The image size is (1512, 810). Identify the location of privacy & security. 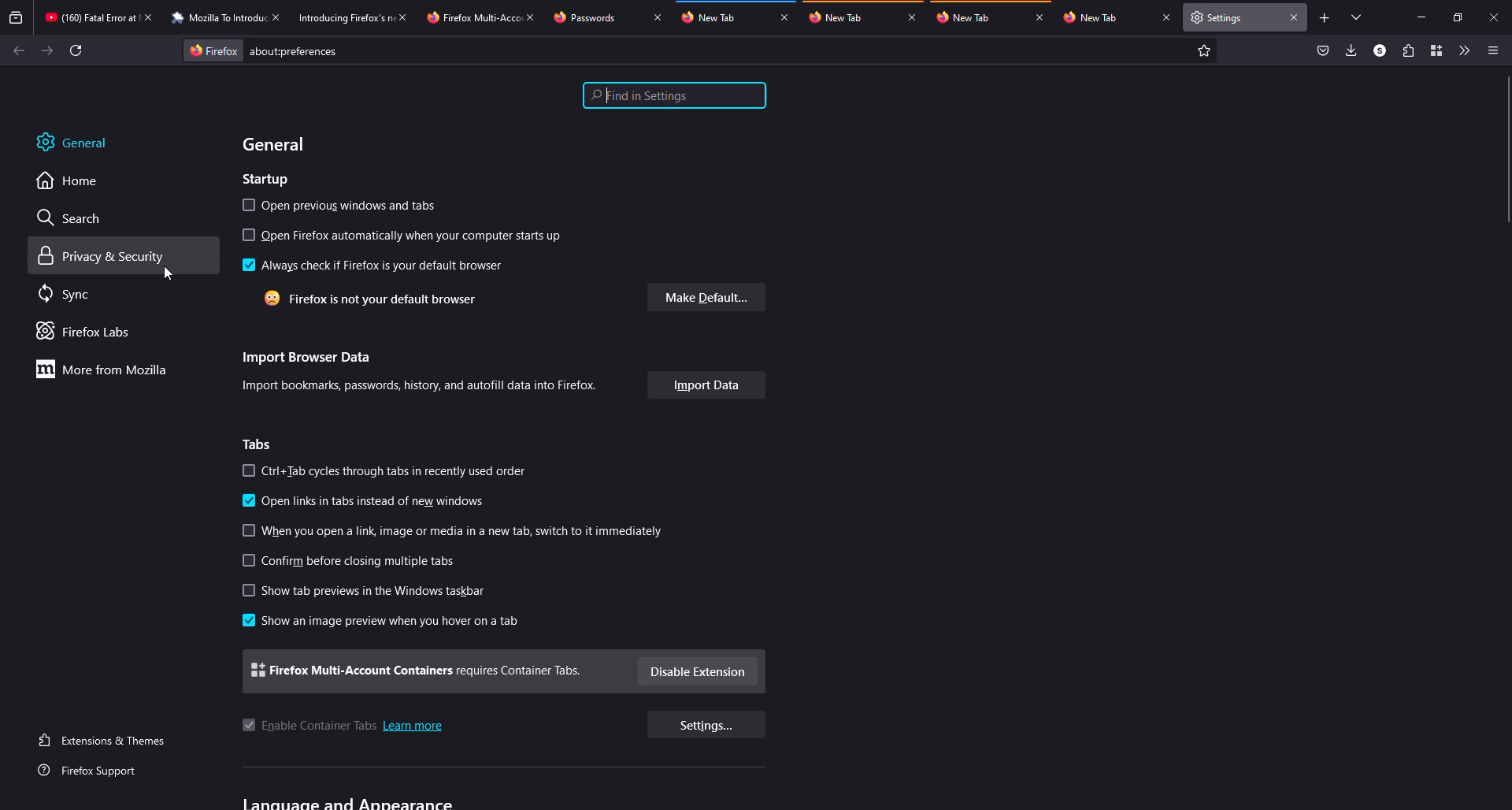
(105, 256).